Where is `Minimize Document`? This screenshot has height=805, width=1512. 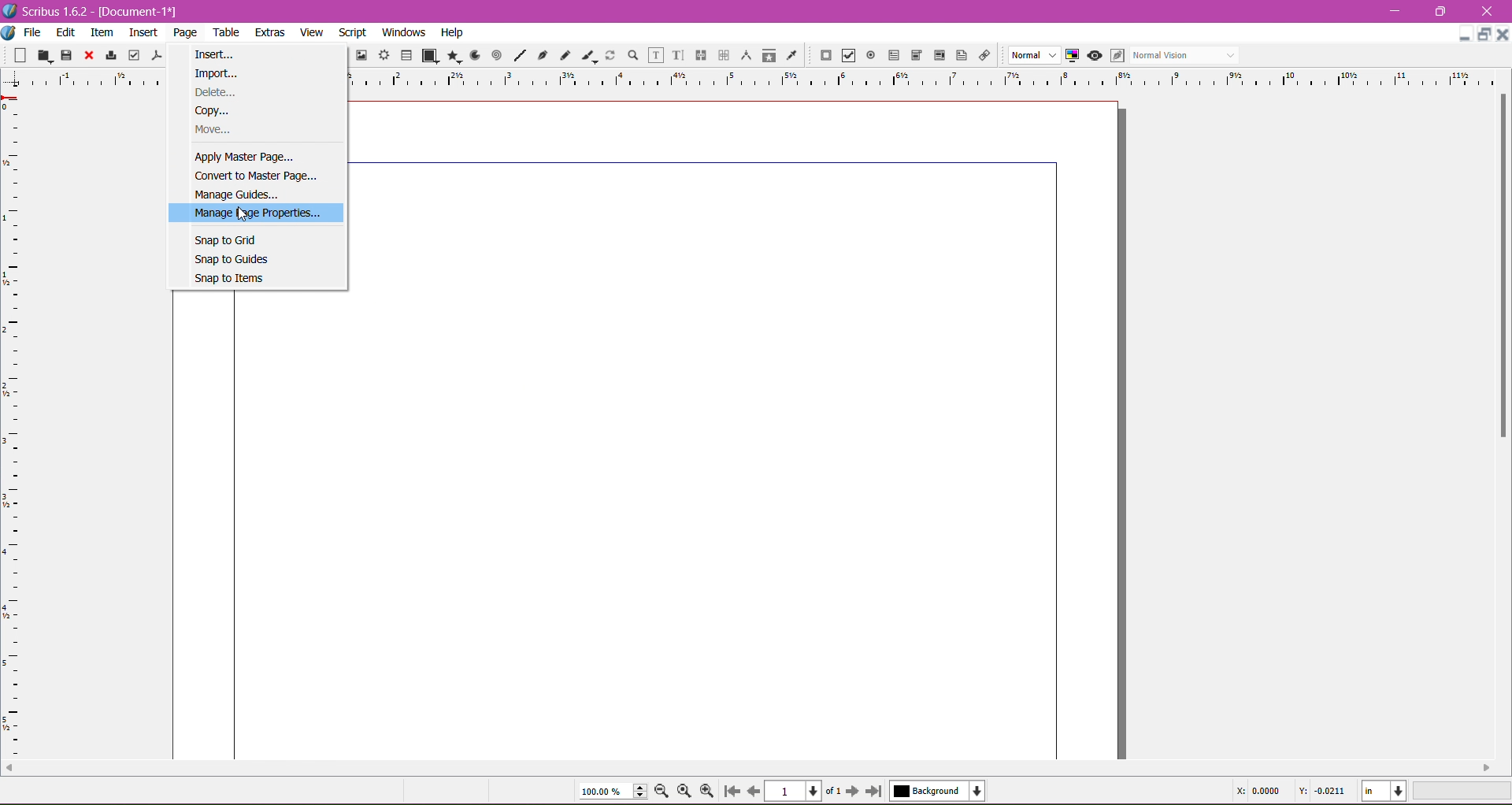 Minimize Document is located at coordinates (1466, 34).